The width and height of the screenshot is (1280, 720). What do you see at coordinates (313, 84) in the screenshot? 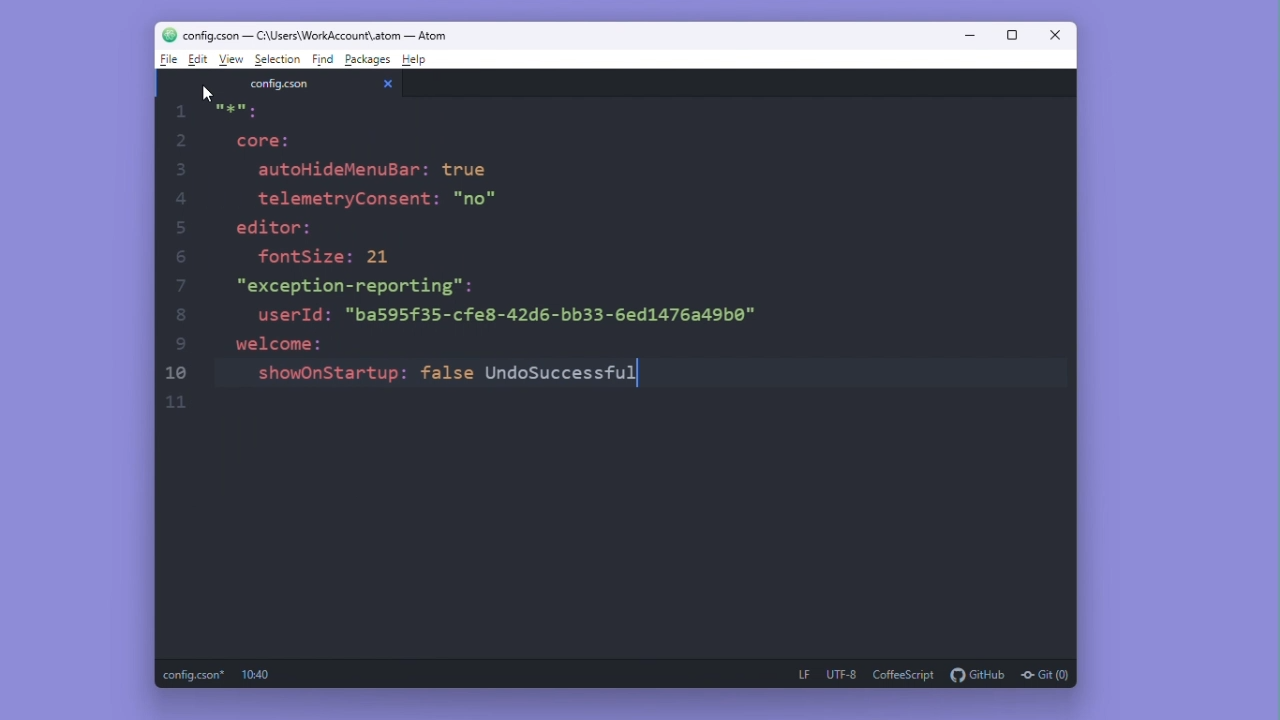
I see `config.cson` at bounding box center [313, 84].